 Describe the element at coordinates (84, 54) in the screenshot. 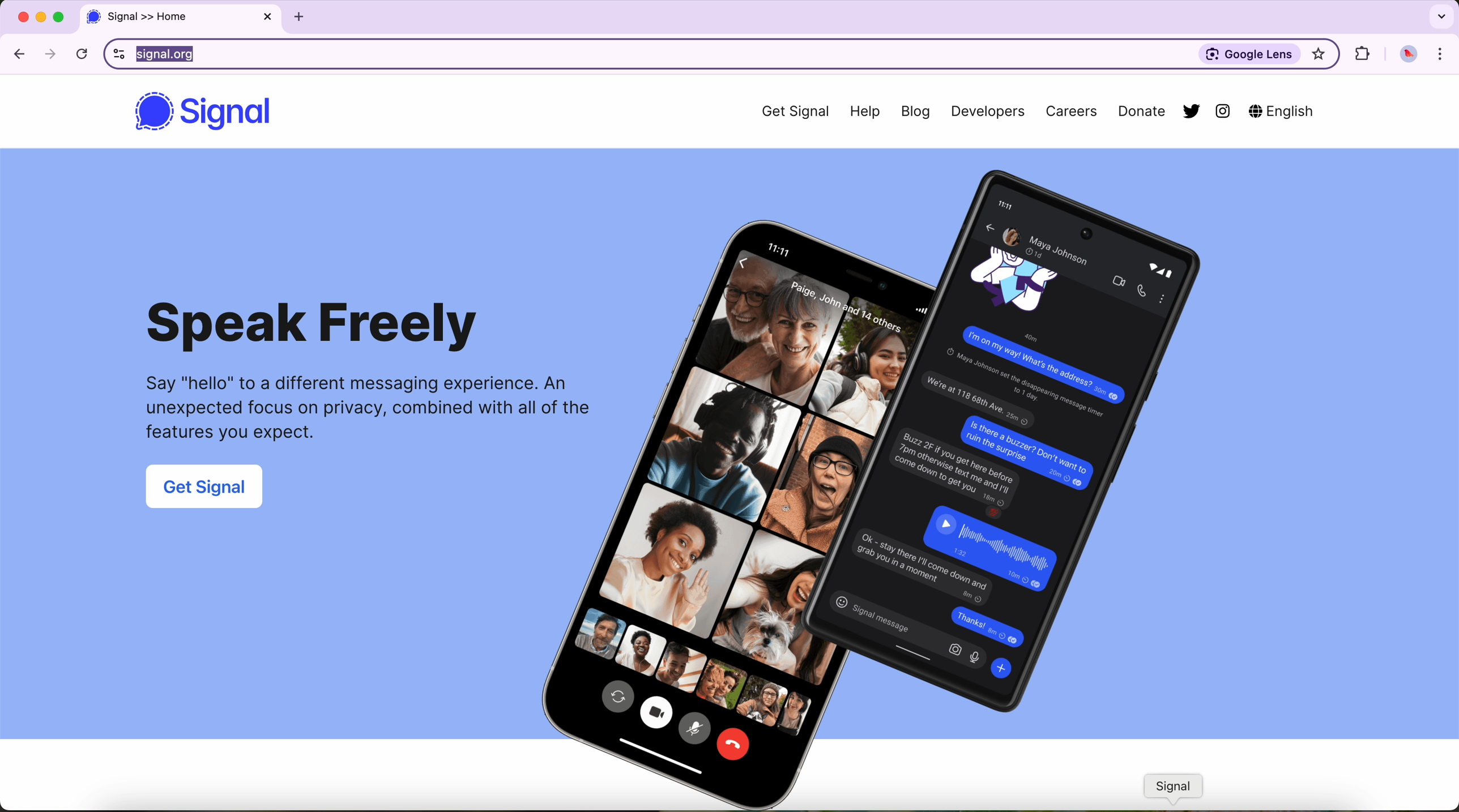

I see `refresh the page` at that location.